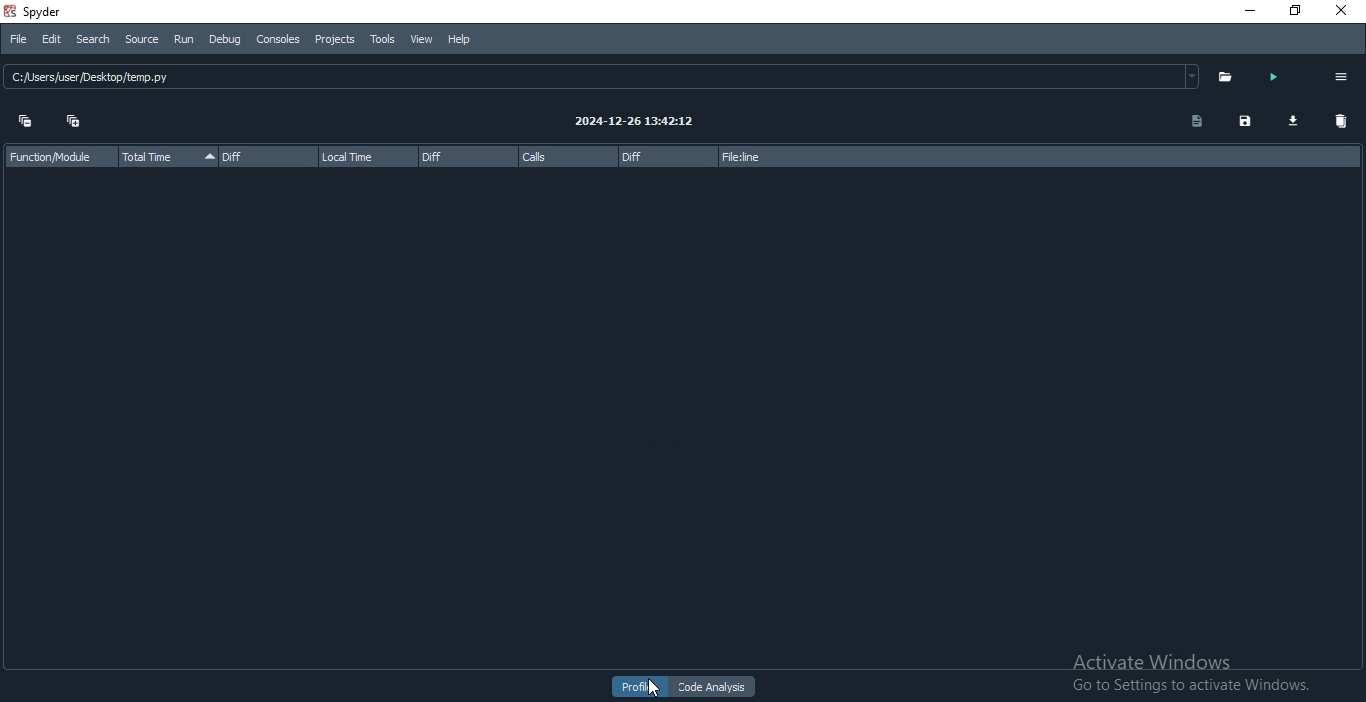  Describe the element at coordinates (1296, 123) in the screenshot. I see `download` at that location.